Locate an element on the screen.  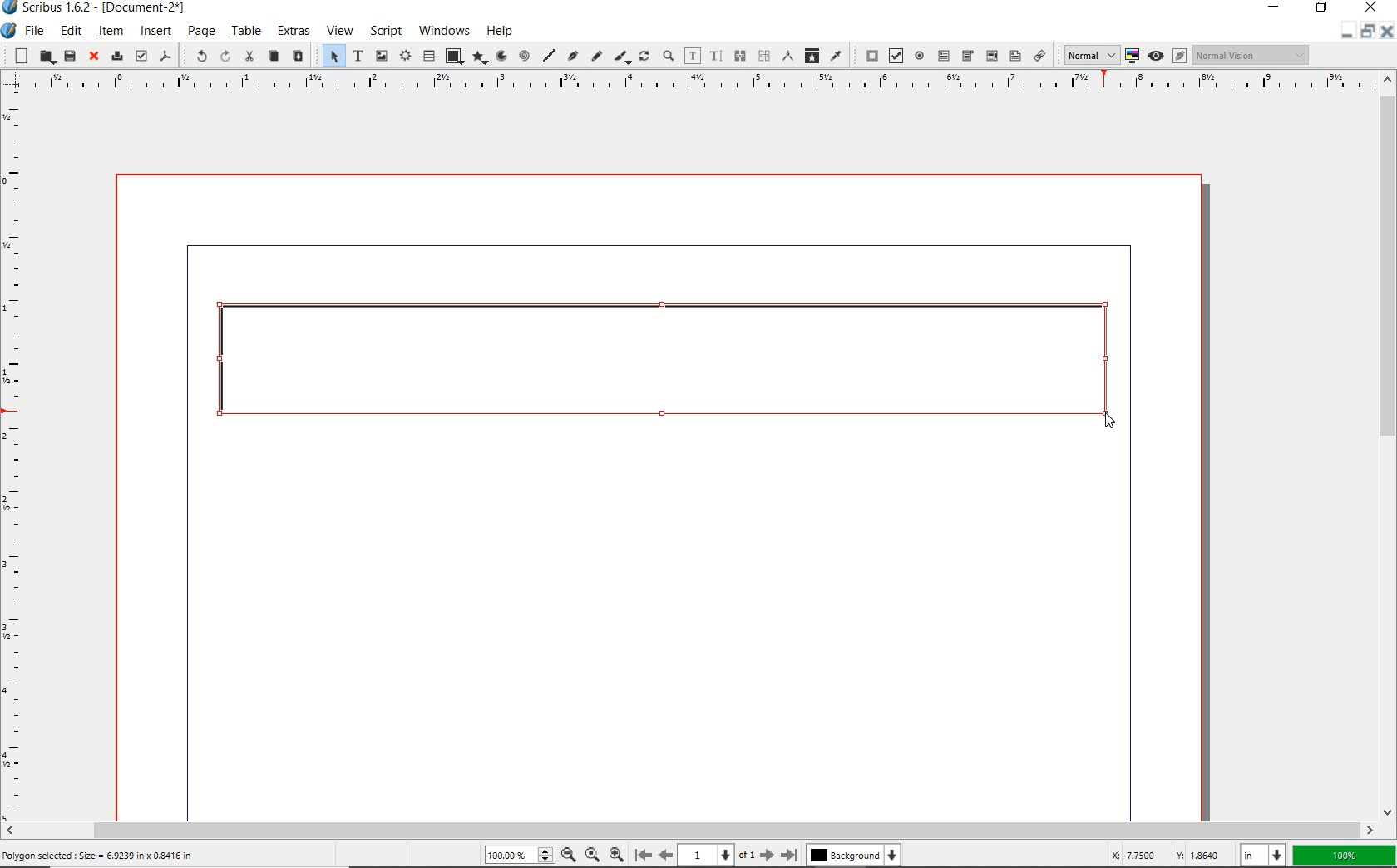
table is located at coordinates (246, 31).